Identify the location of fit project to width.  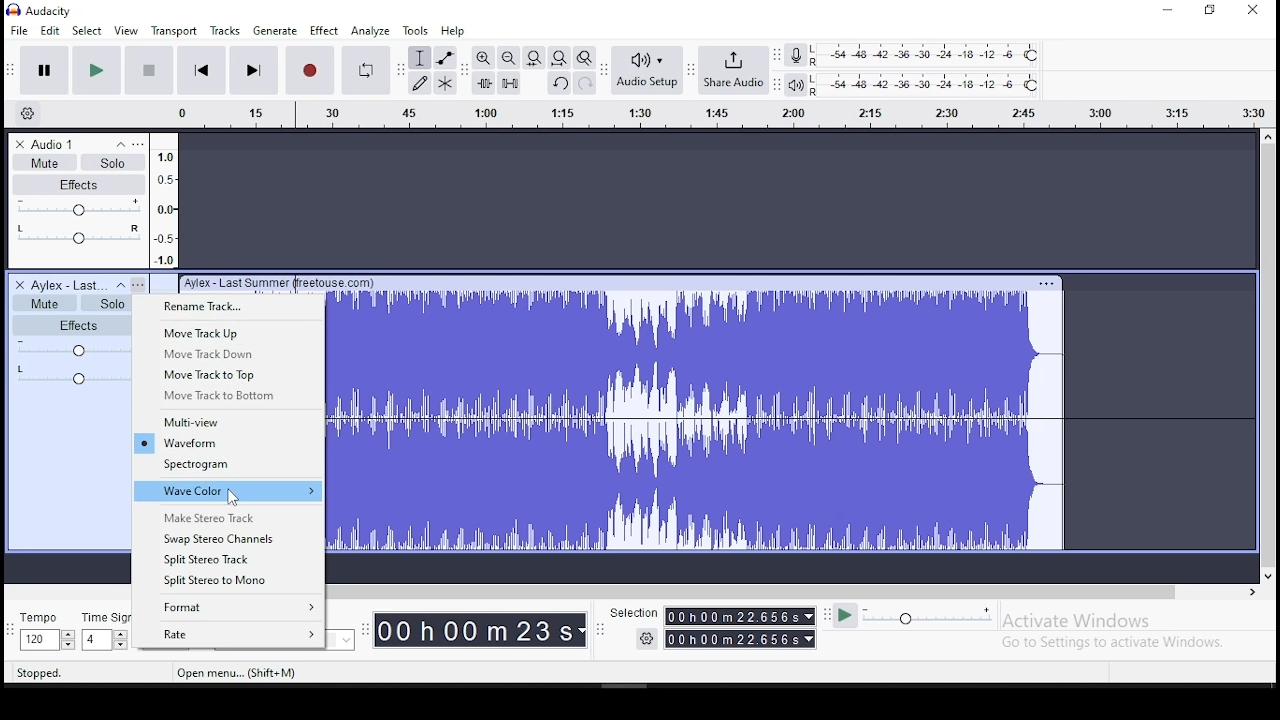
(559, 57).